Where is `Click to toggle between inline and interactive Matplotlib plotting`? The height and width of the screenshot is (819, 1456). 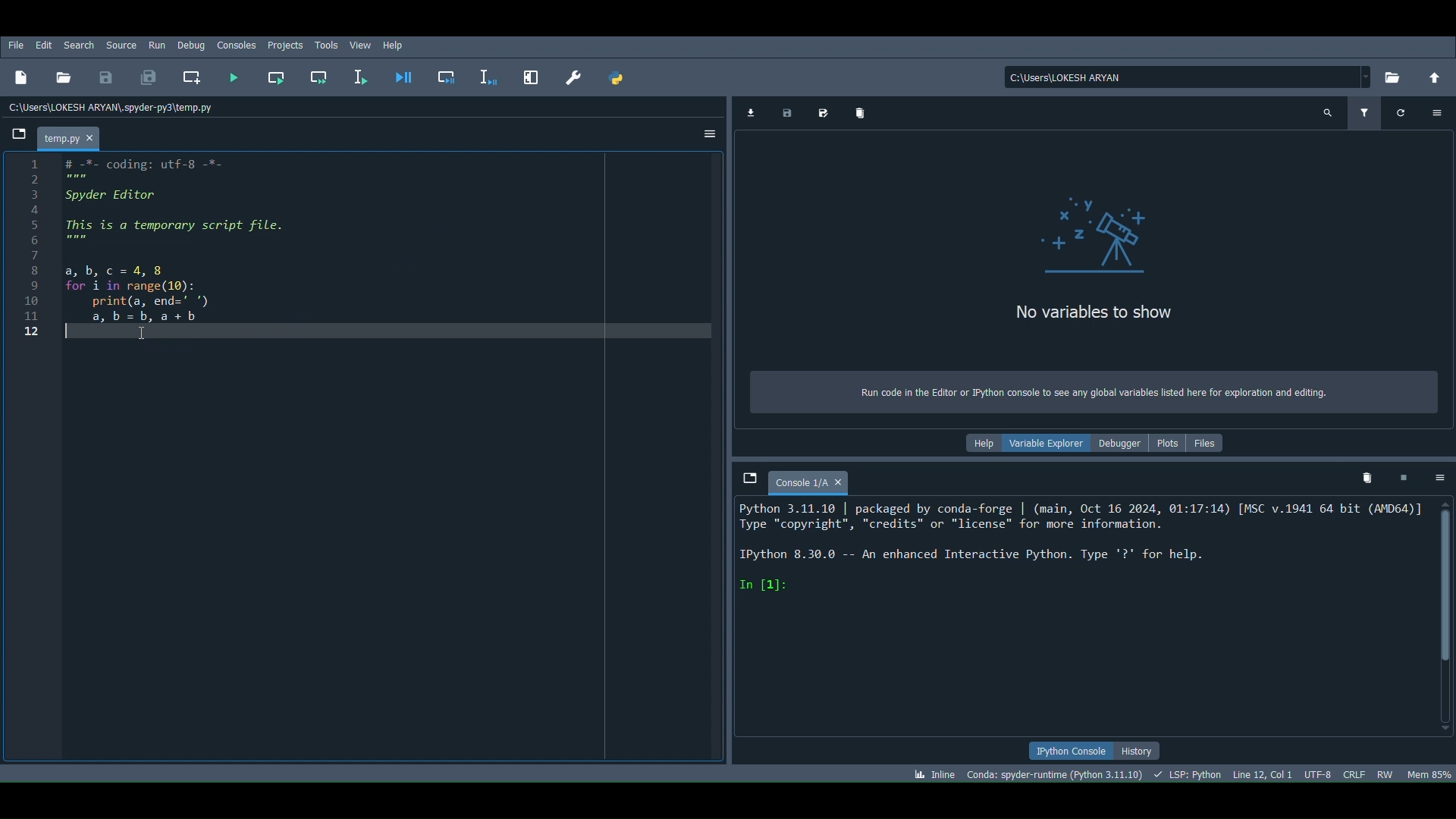
Click to toggle between inline and interactive Matplotlib plotting is located at coordinates (933, 773).